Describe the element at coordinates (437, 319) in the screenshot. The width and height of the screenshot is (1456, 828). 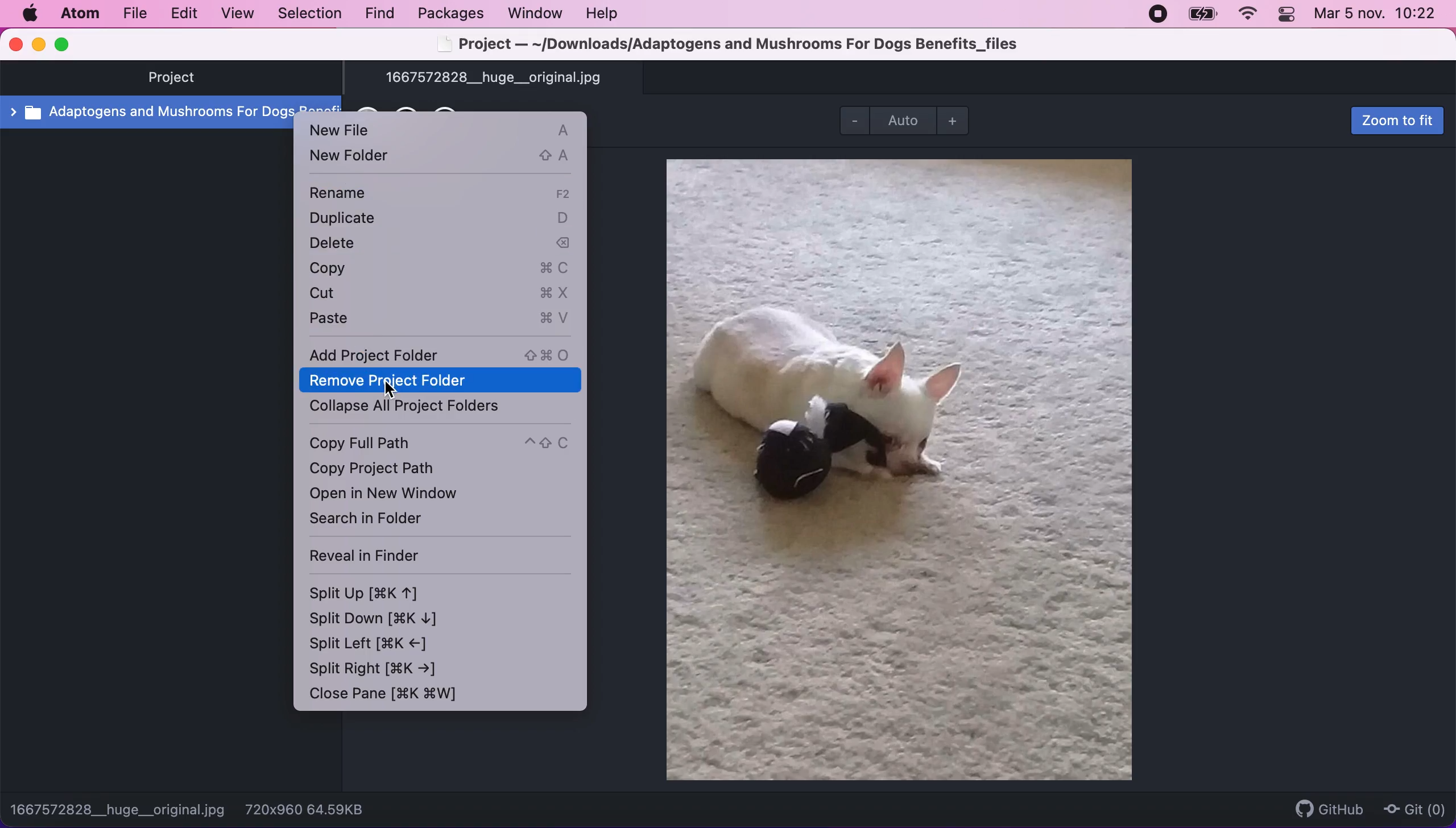
I see `paste` at that location.